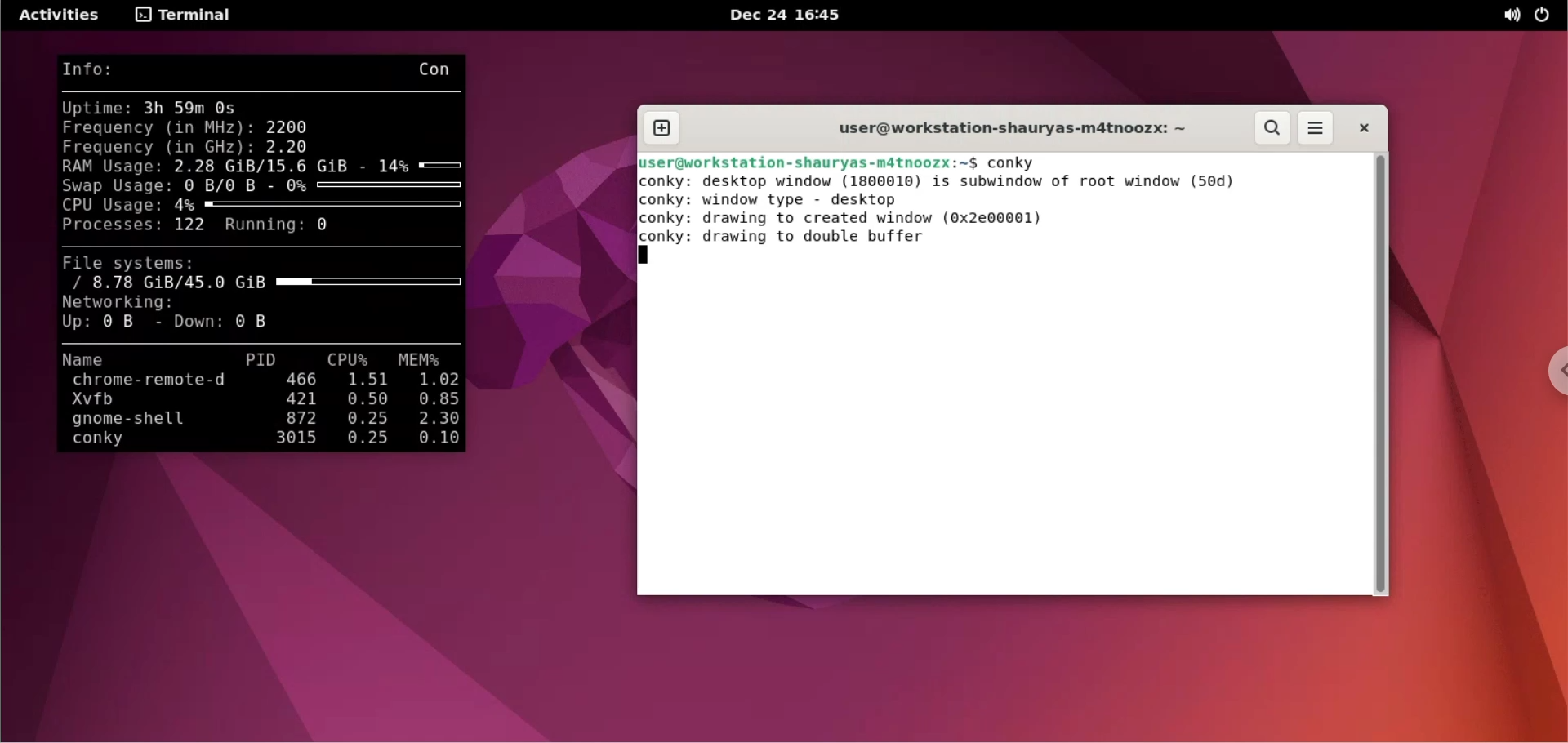 This screenshot has width=1568, height=743. What do you see at coordinates (368, 439) in the screenshot?
I see `0.25` at bounding box center [368, 439].